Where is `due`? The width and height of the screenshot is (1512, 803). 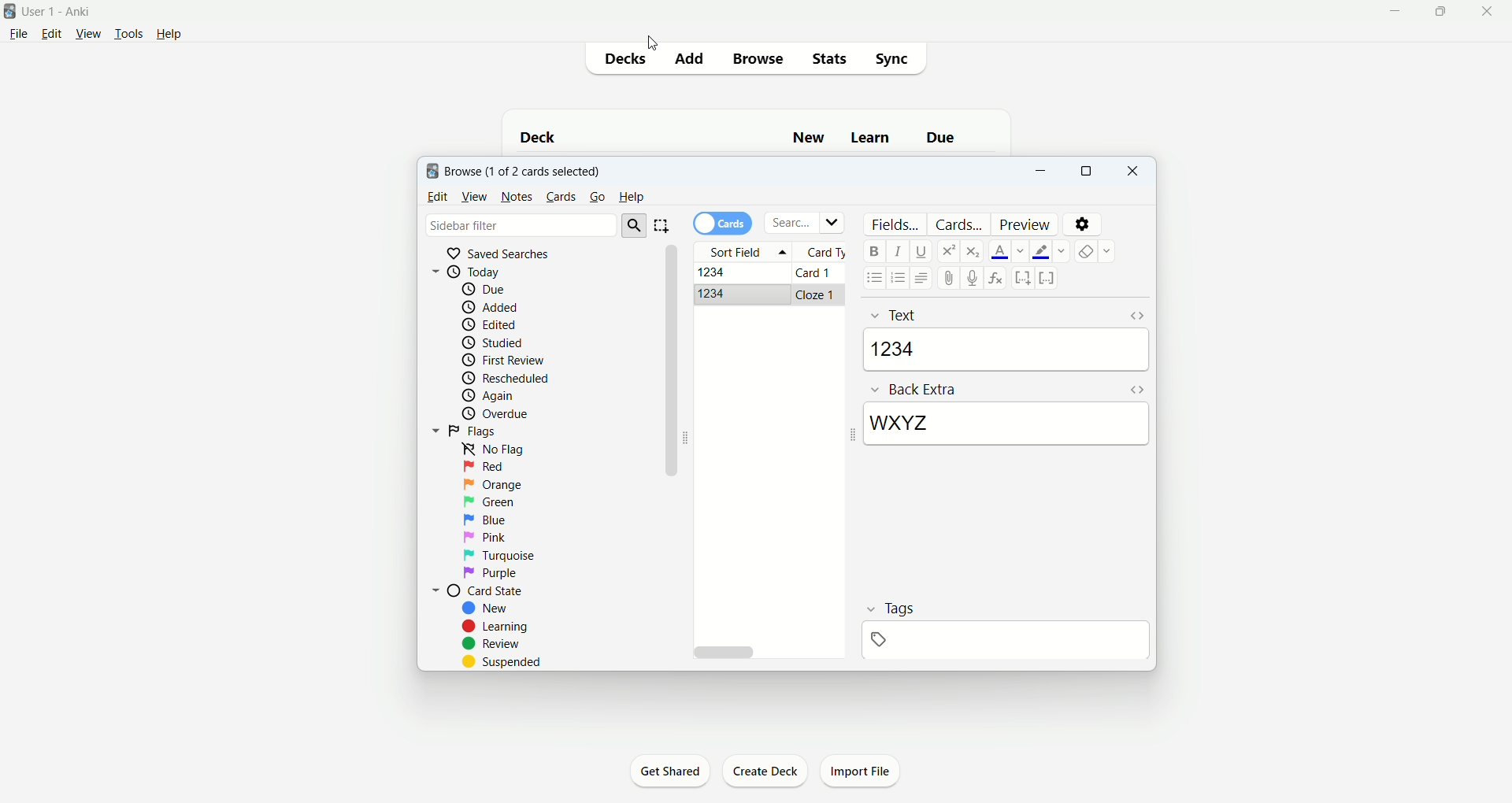
due is located at coordinates (483, 289).